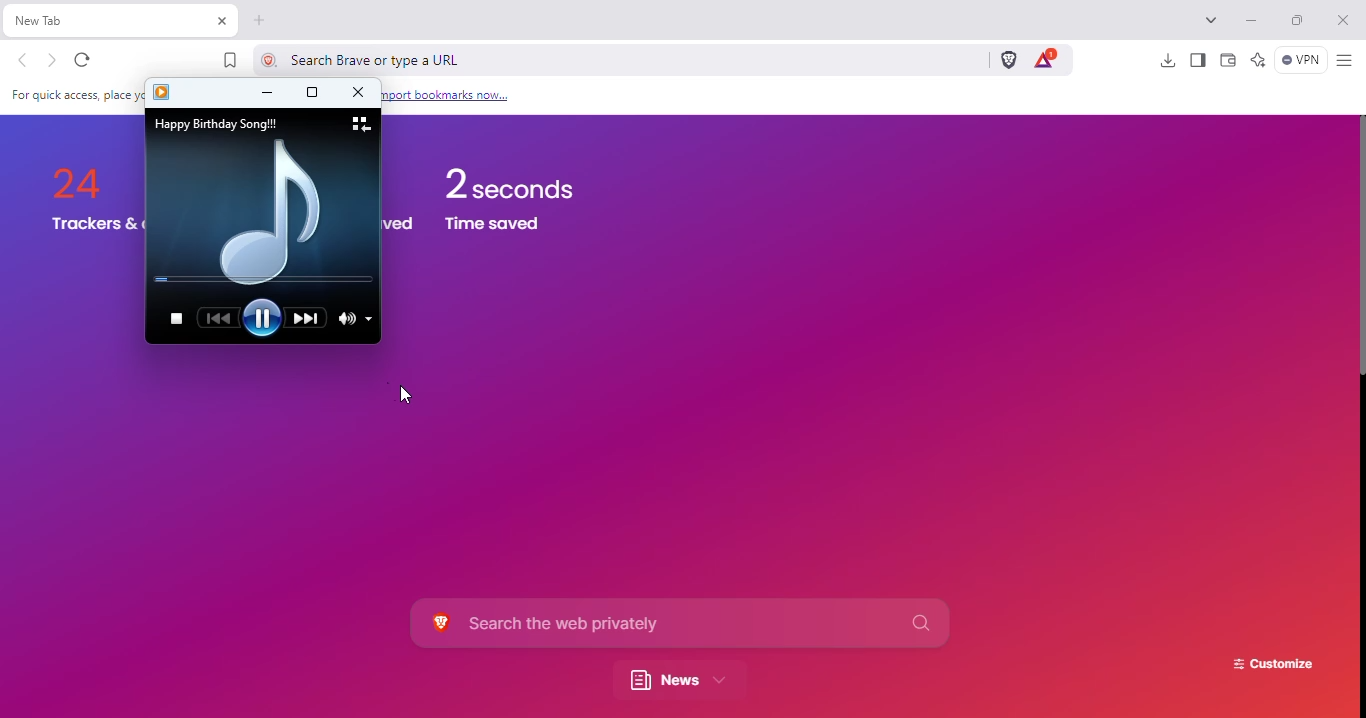 The image size is (1366, 718). What do you see at coordinates (1343, 20) in the screenshot?
I see `close` at bounding box center [1343, 20].